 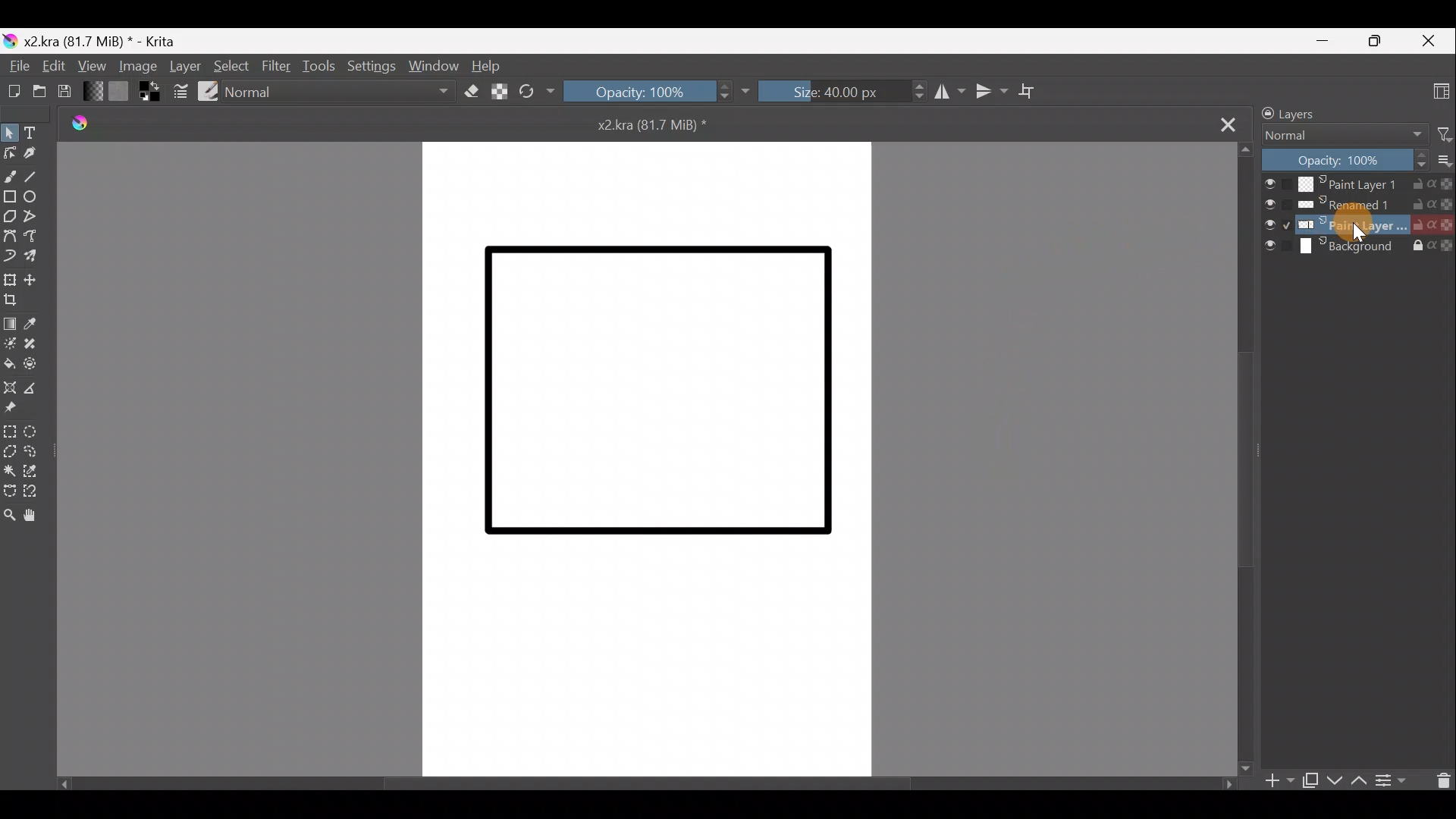 What do you see at coordinates (1358, 206) in the screenshot?
I see `Renamed1` at bounding box center [1358, 206].